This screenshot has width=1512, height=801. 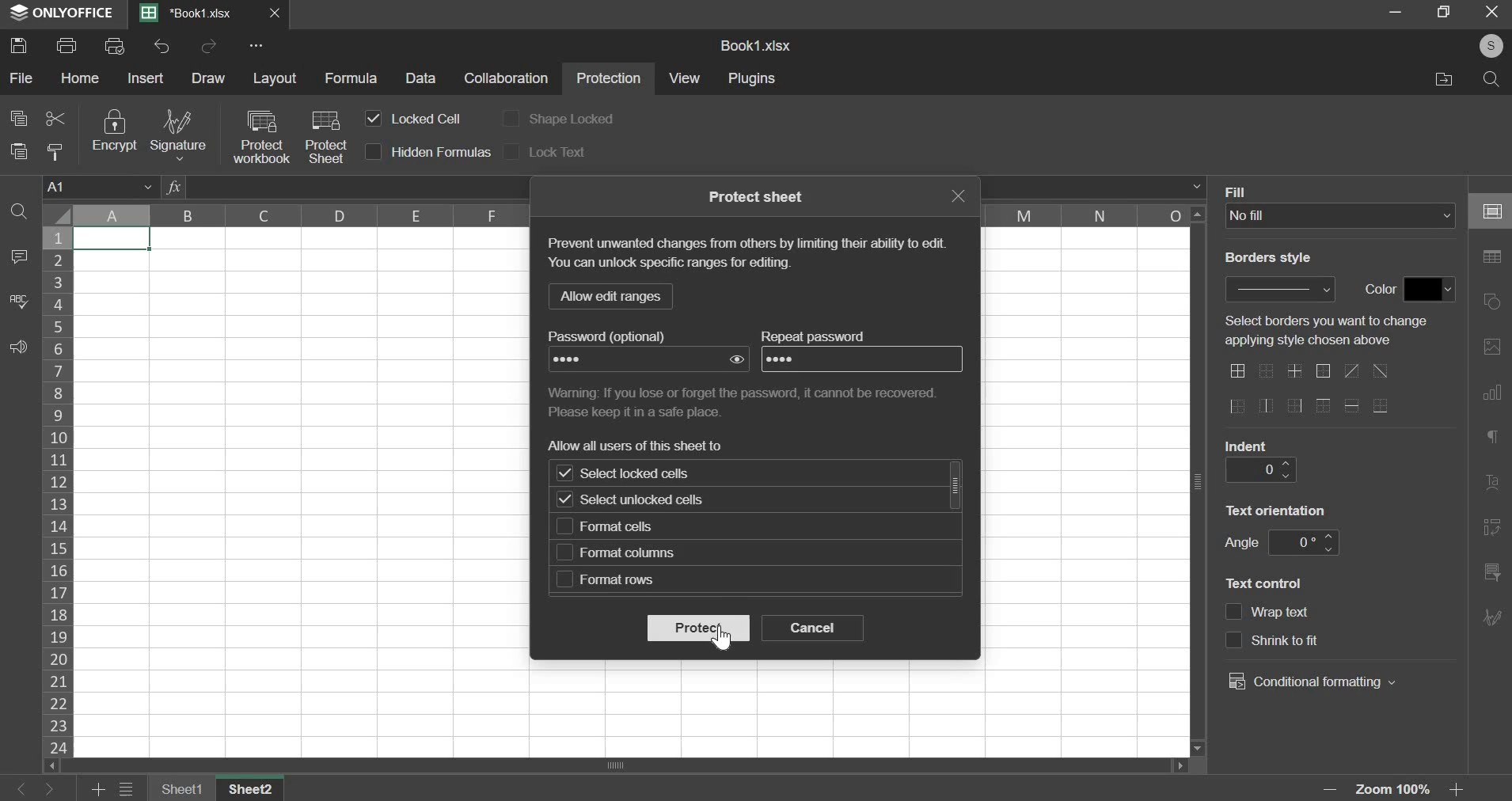 What do you see at coordinates (746, 256) in the screenshot?
I see `text` at bounding box center [746, 256].